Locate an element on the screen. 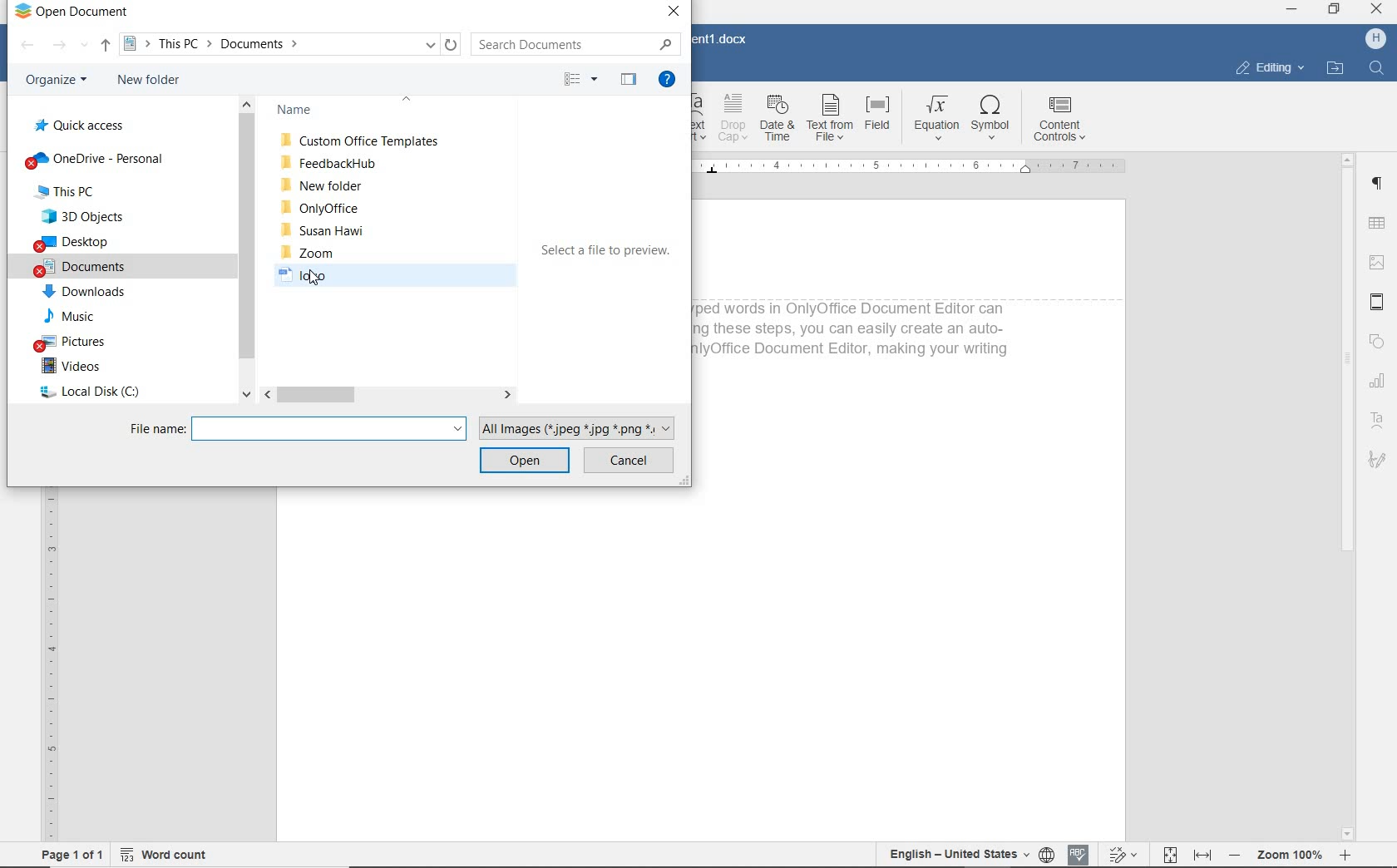  File PATH is located at coordinates (292, 44).